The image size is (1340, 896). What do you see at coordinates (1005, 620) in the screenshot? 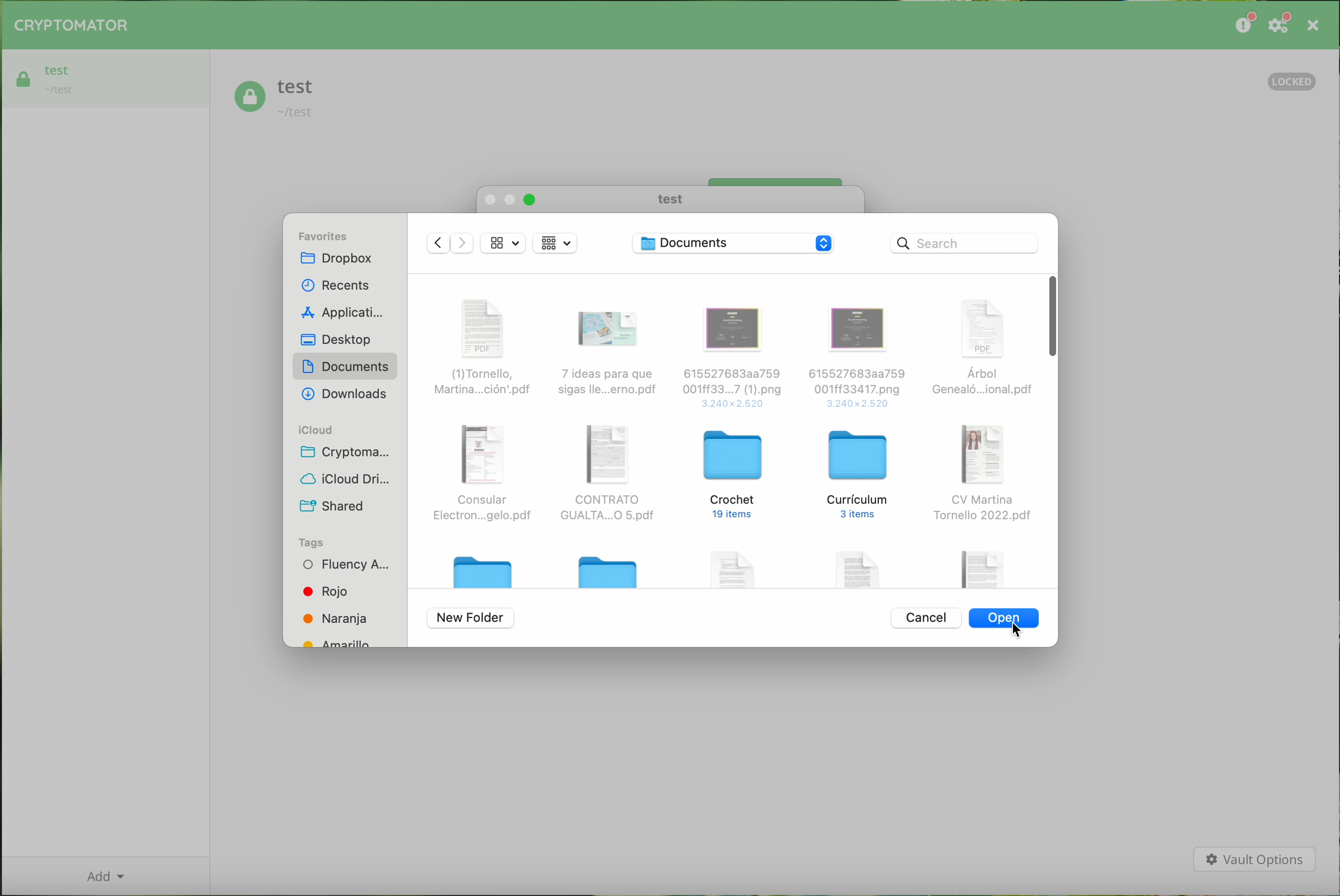
I see `open ` at bounding box center [1005, 620].